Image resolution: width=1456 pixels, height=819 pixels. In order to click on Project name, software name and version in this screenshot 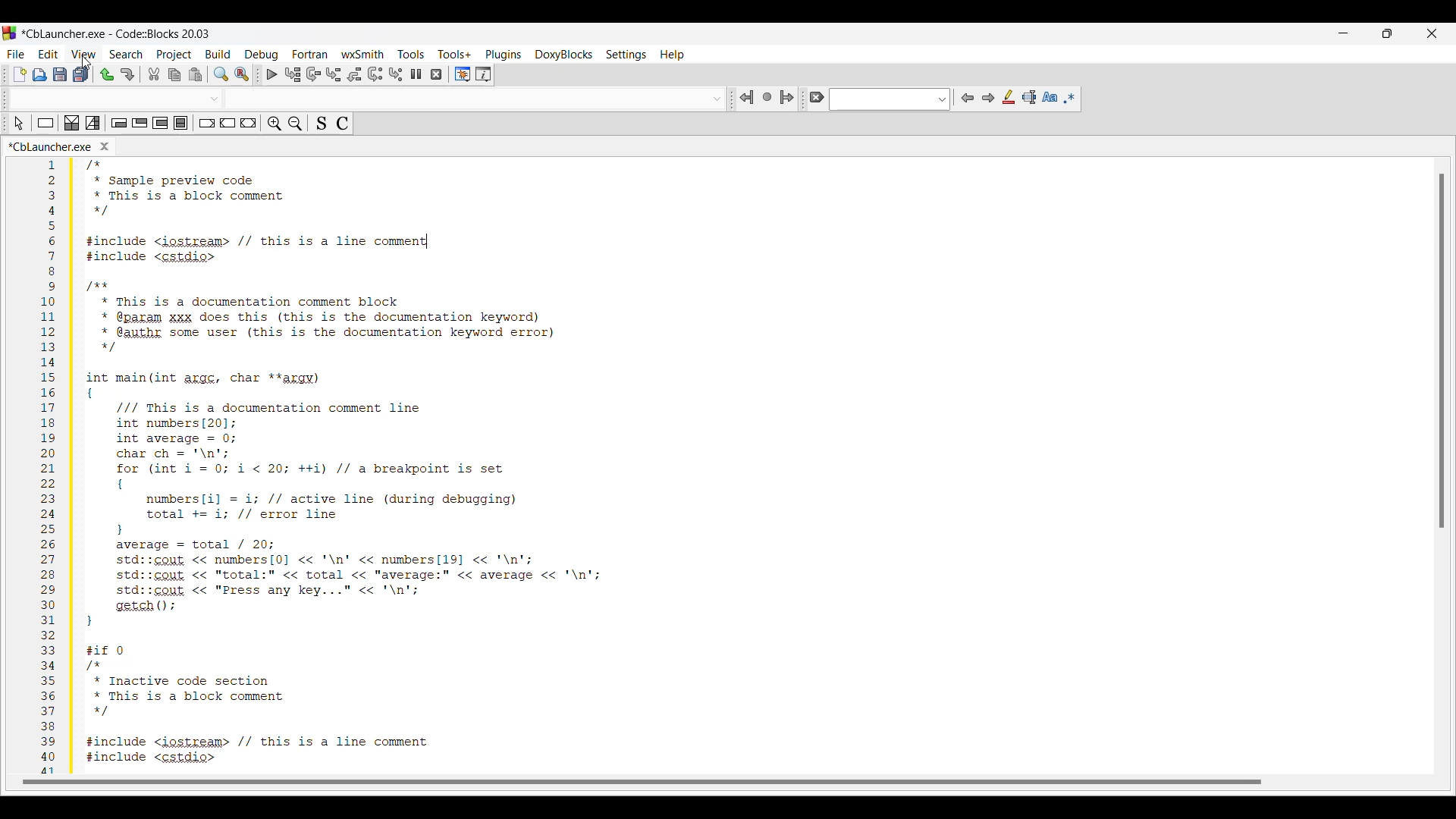, I will do `click(117, 33)`.